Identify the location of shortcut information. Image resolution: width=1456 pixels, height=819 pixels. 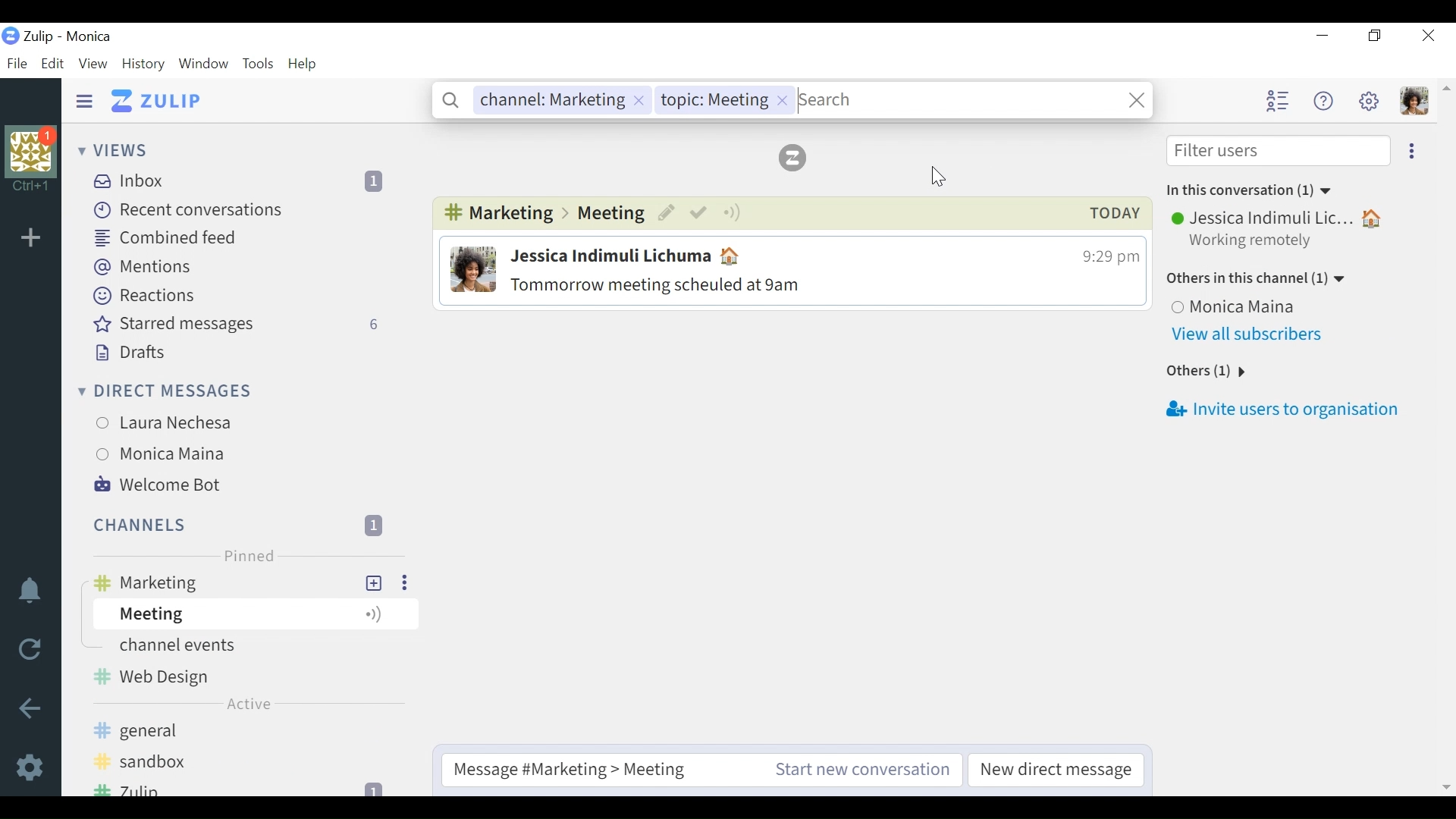
(30, 184).